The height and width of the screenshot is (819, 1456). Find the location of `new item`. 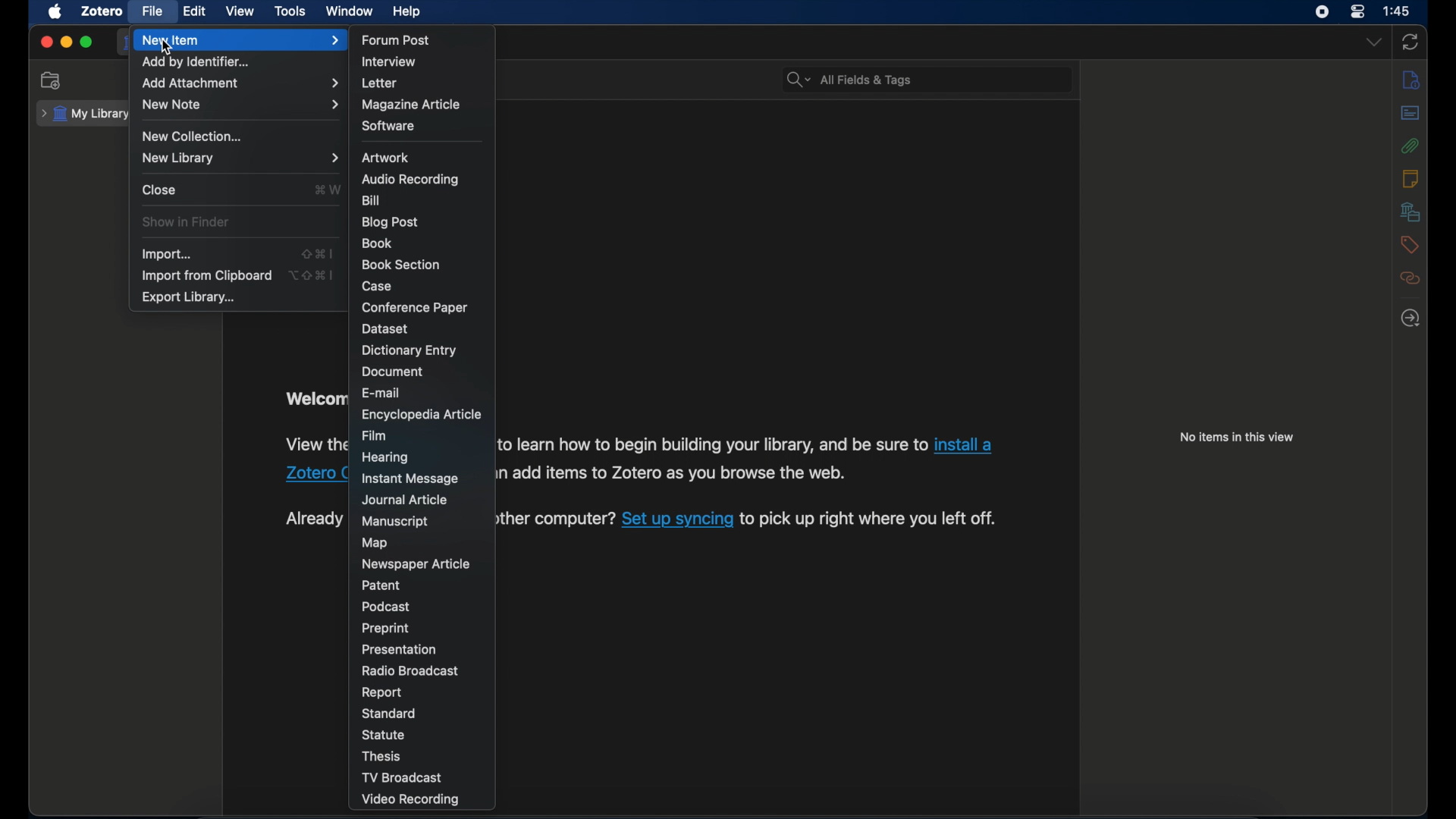

new item is located at coordinates (240, 40).